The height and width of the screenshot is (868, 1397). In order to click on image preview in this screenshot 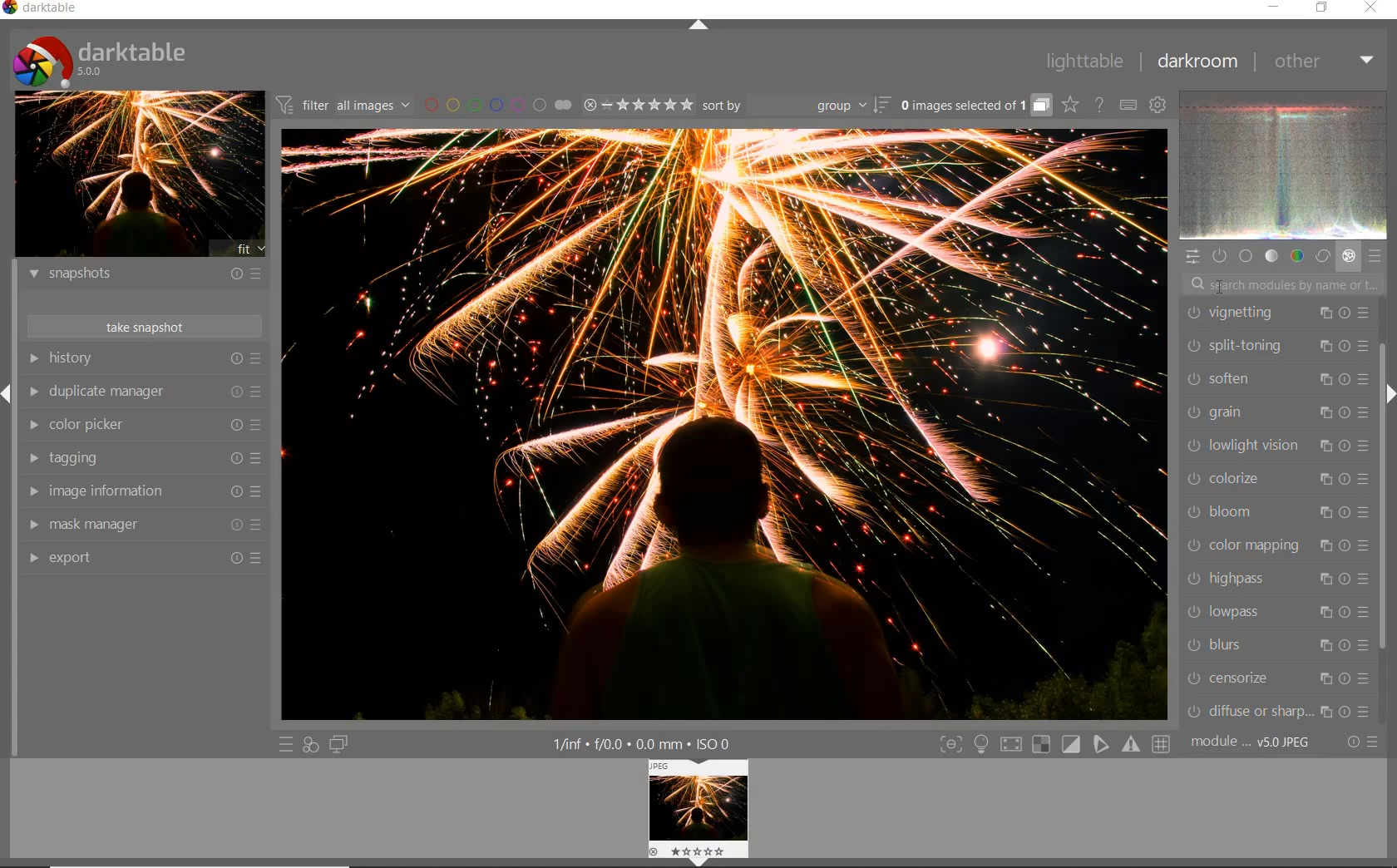, I will do `click(700, 812)`.